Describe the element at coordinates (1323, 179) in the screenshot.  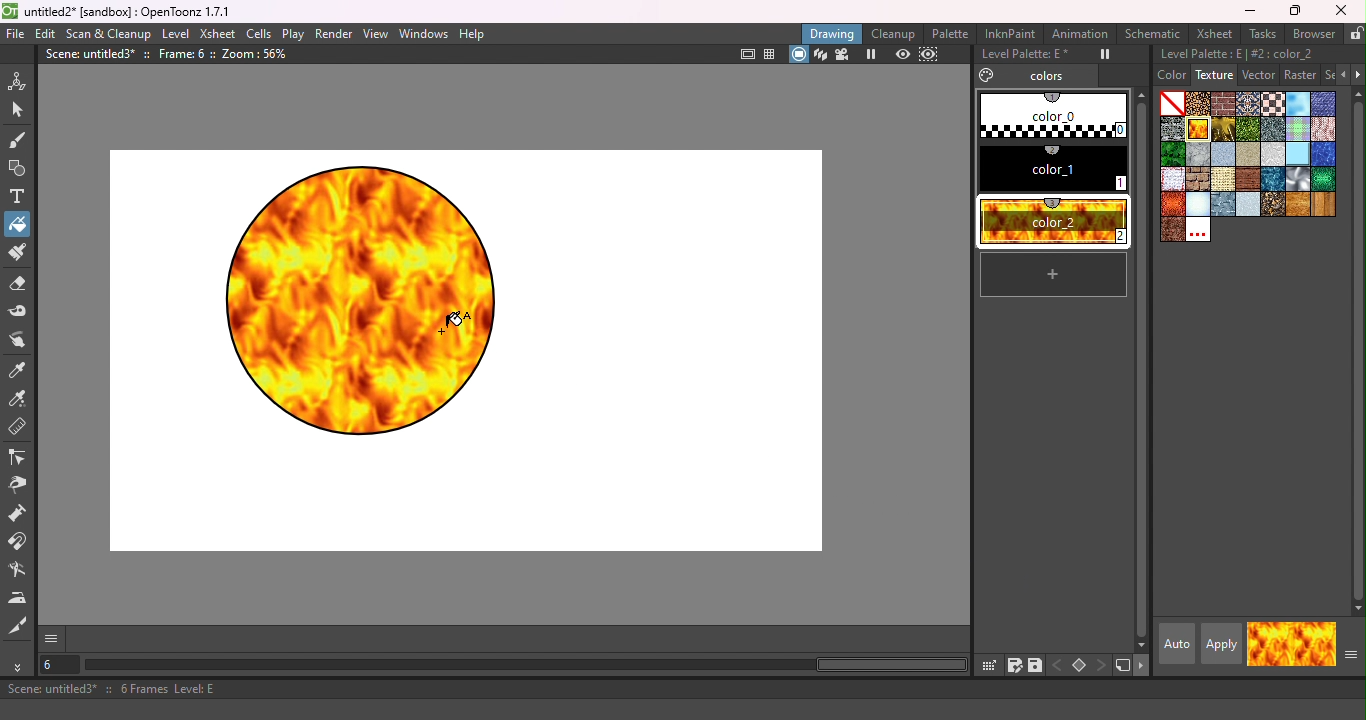
I see `snakeskin.bmp` at that location.